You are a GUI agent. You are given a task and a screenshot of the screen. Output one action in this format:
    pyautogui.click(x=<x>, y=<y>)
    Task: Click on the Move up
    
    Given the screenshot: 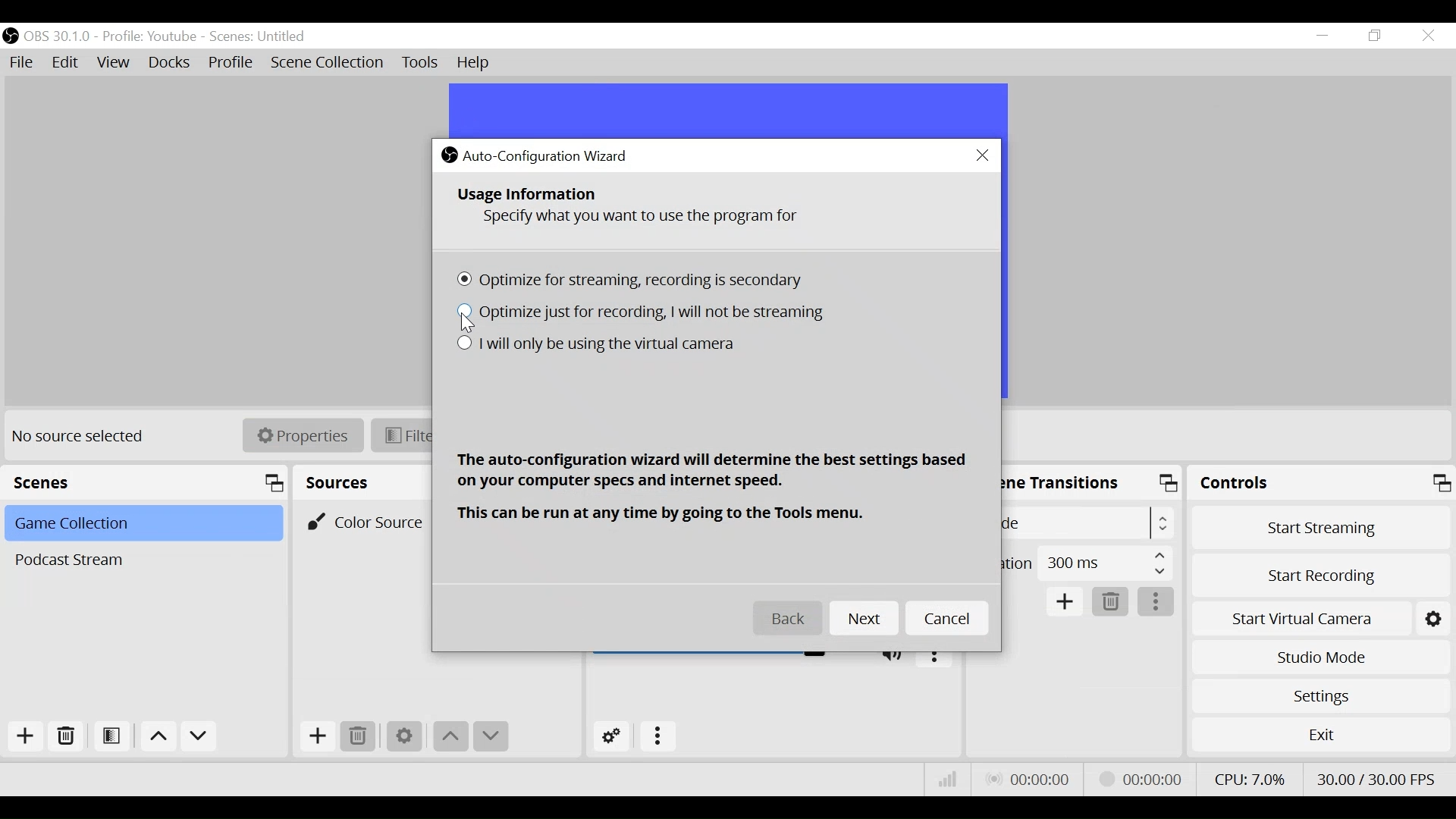 What is the action you would take?
    pyautogui.click(x=156, y=736)
    